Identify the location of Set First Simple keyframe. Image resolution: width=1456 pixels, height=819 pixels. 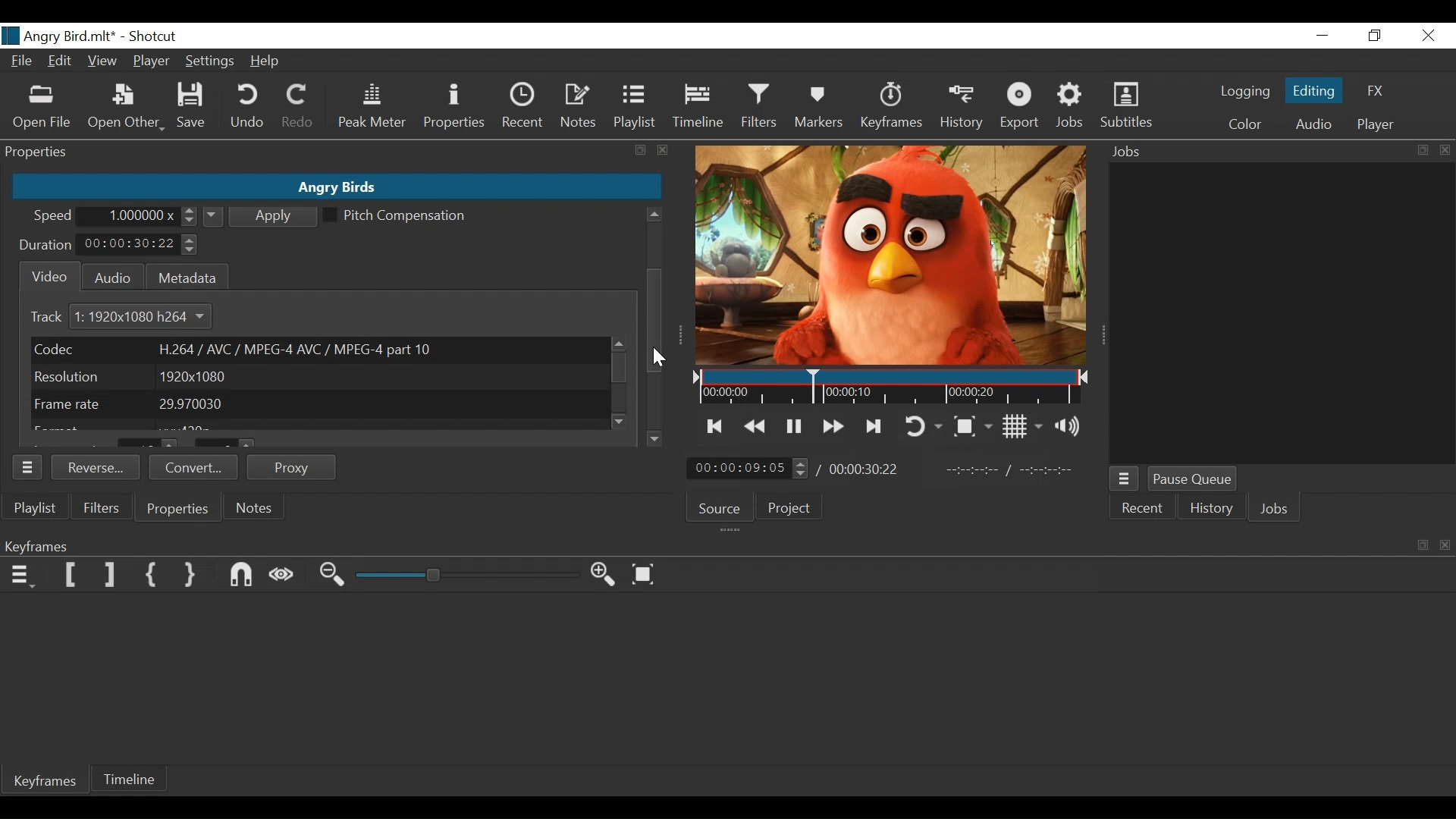
(152, 576).